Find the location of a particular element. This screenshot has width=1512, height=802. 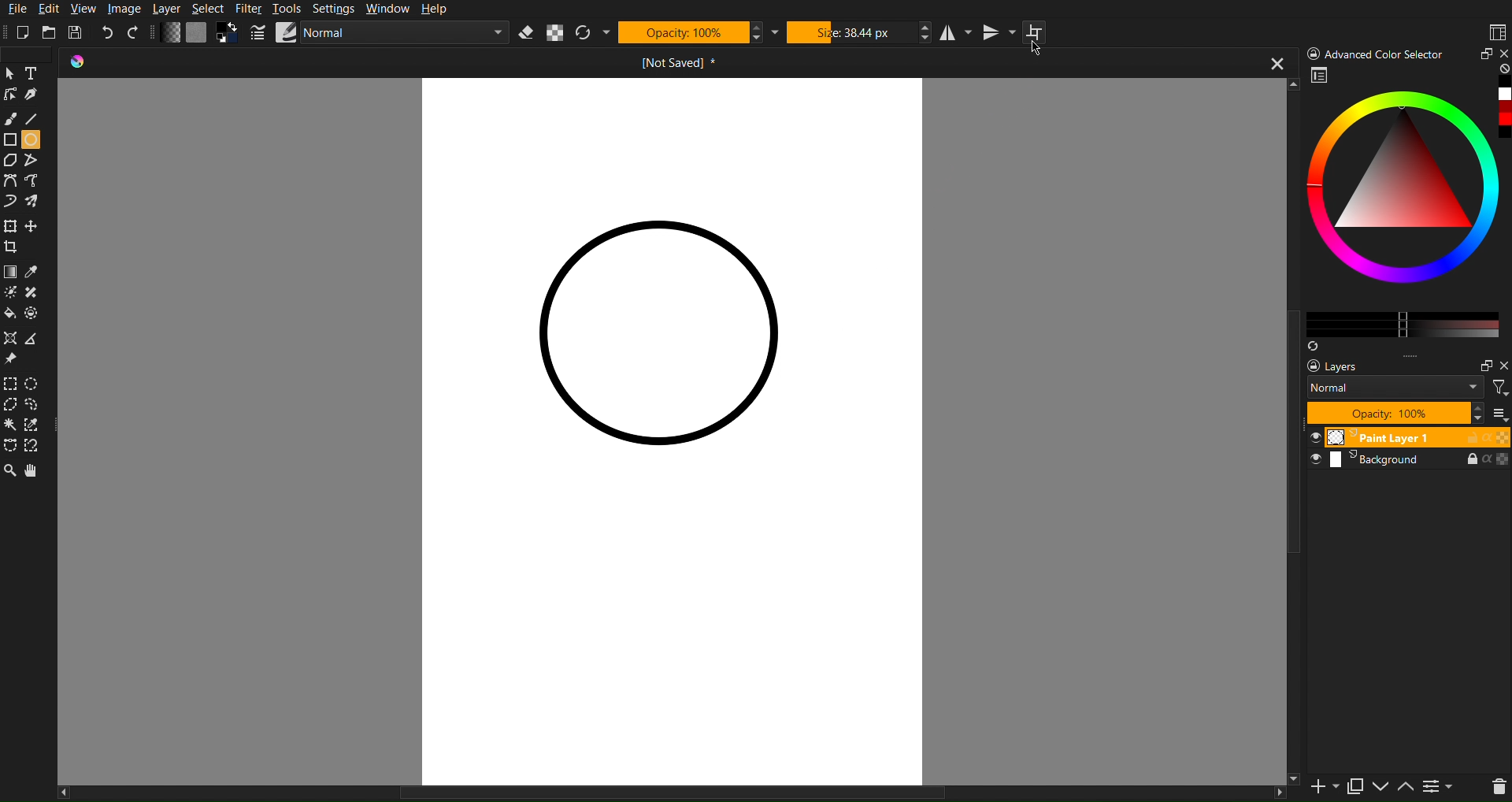

Color Settings is located at coordinates (198, 34).